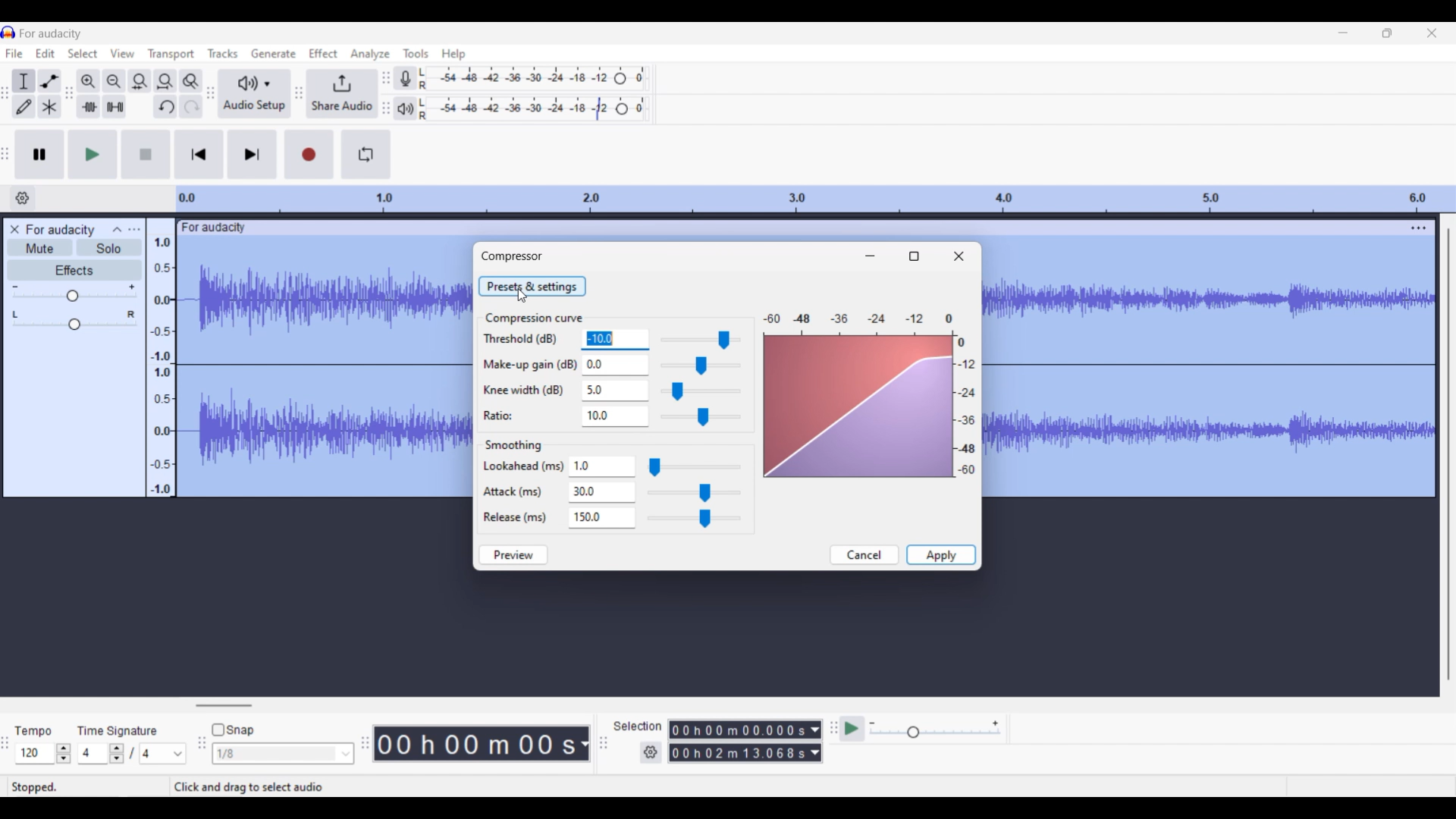 This screenshot has width=1456, height=819. What do you see at coordinates (513, 493) in the screenshot?
I see `Attack (ms)` at bounding box center [513, 493].